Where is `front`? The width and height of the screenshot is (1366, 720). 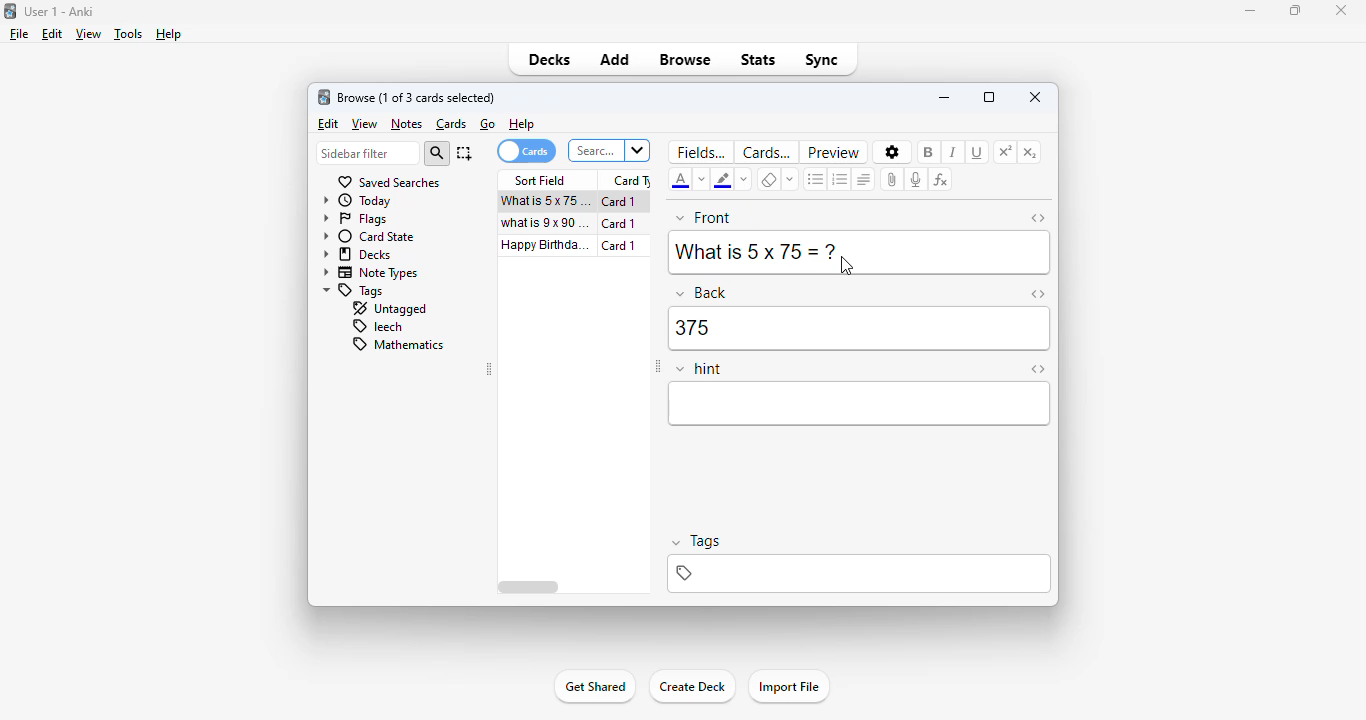
front is located at coordinates (703, 218).